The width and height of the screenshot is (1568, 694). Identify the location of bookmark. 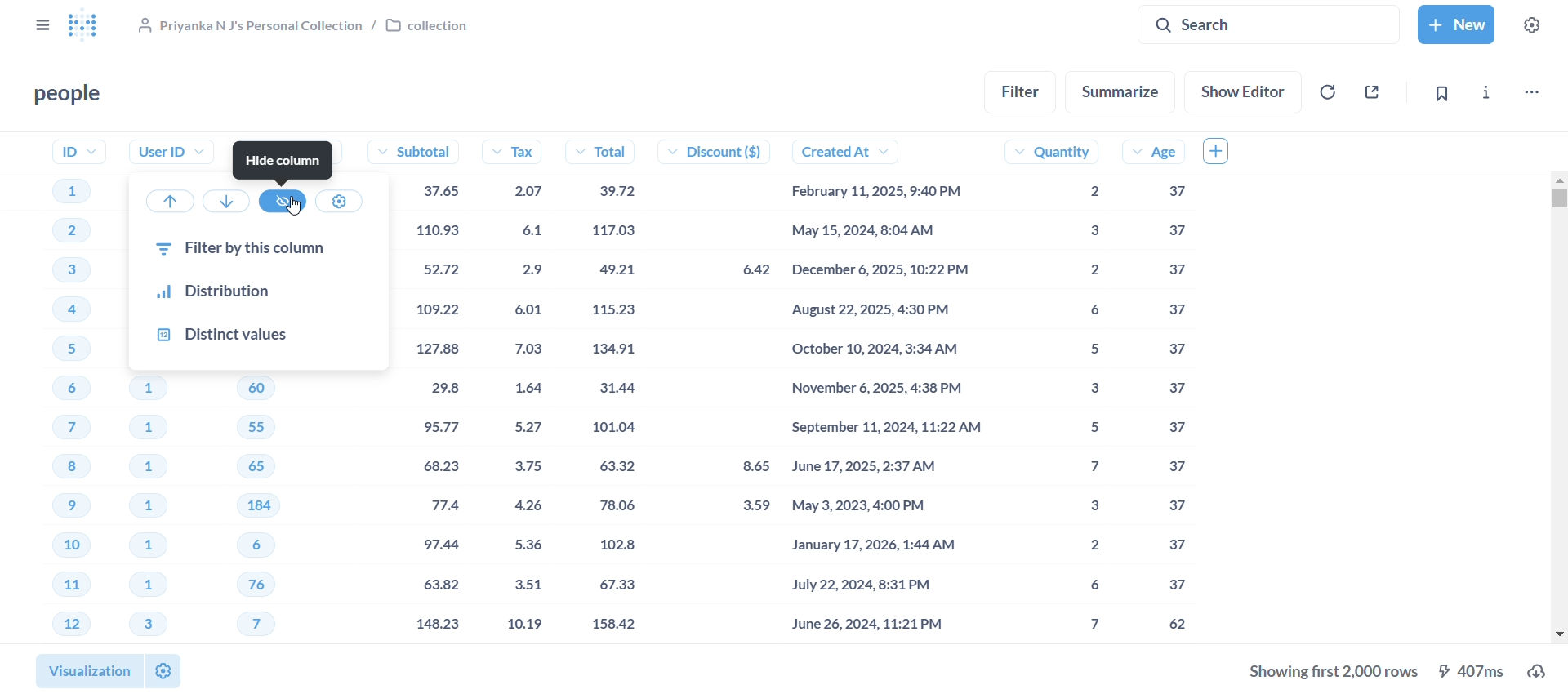
(1444, 92).